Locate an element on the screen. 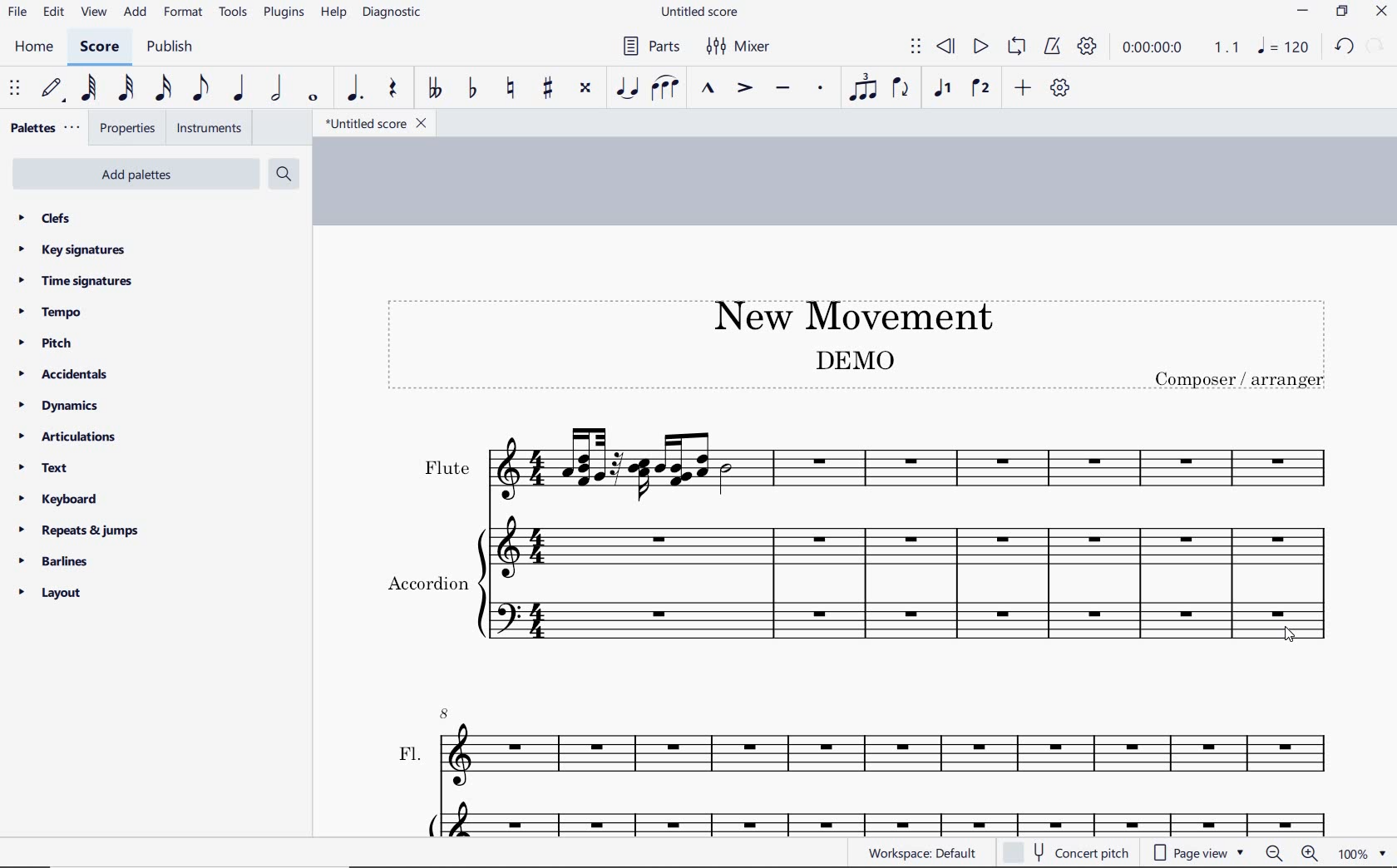  Parts is located at coordinates (648, 47).